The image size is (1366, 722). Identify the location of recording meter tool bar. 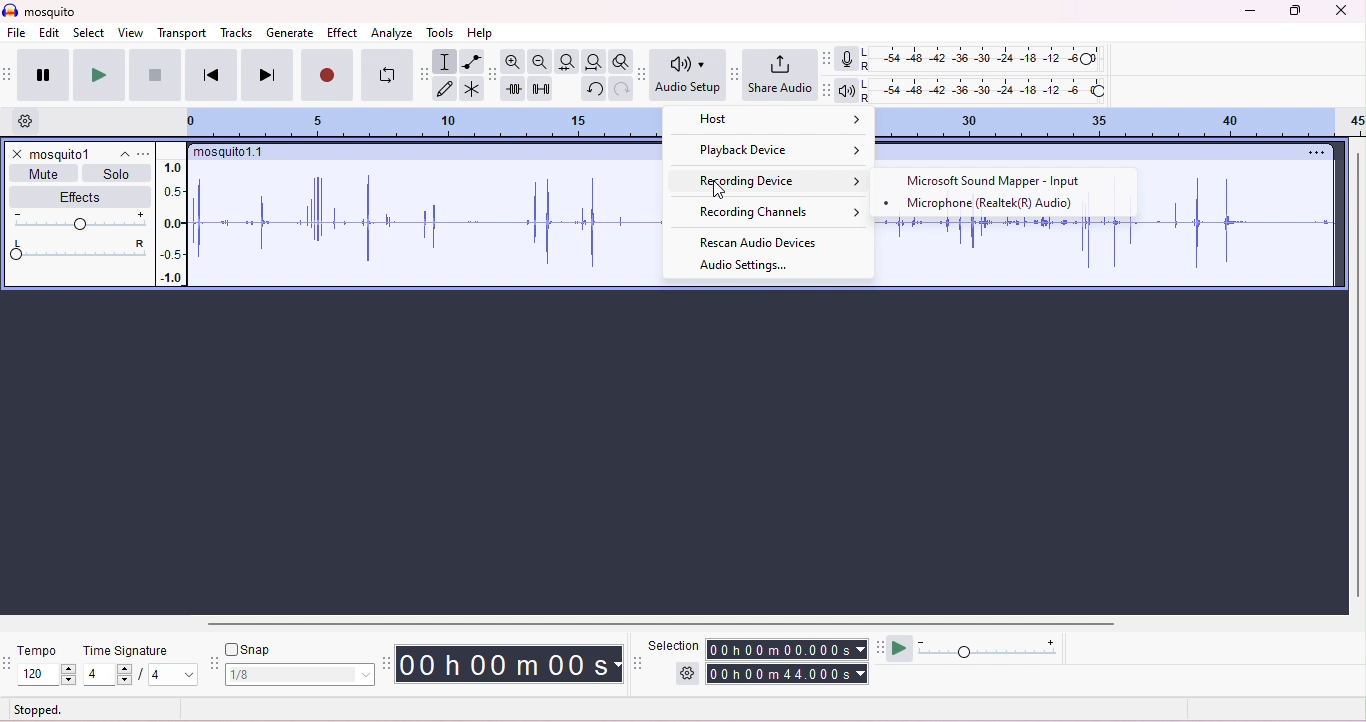
(825, 58).